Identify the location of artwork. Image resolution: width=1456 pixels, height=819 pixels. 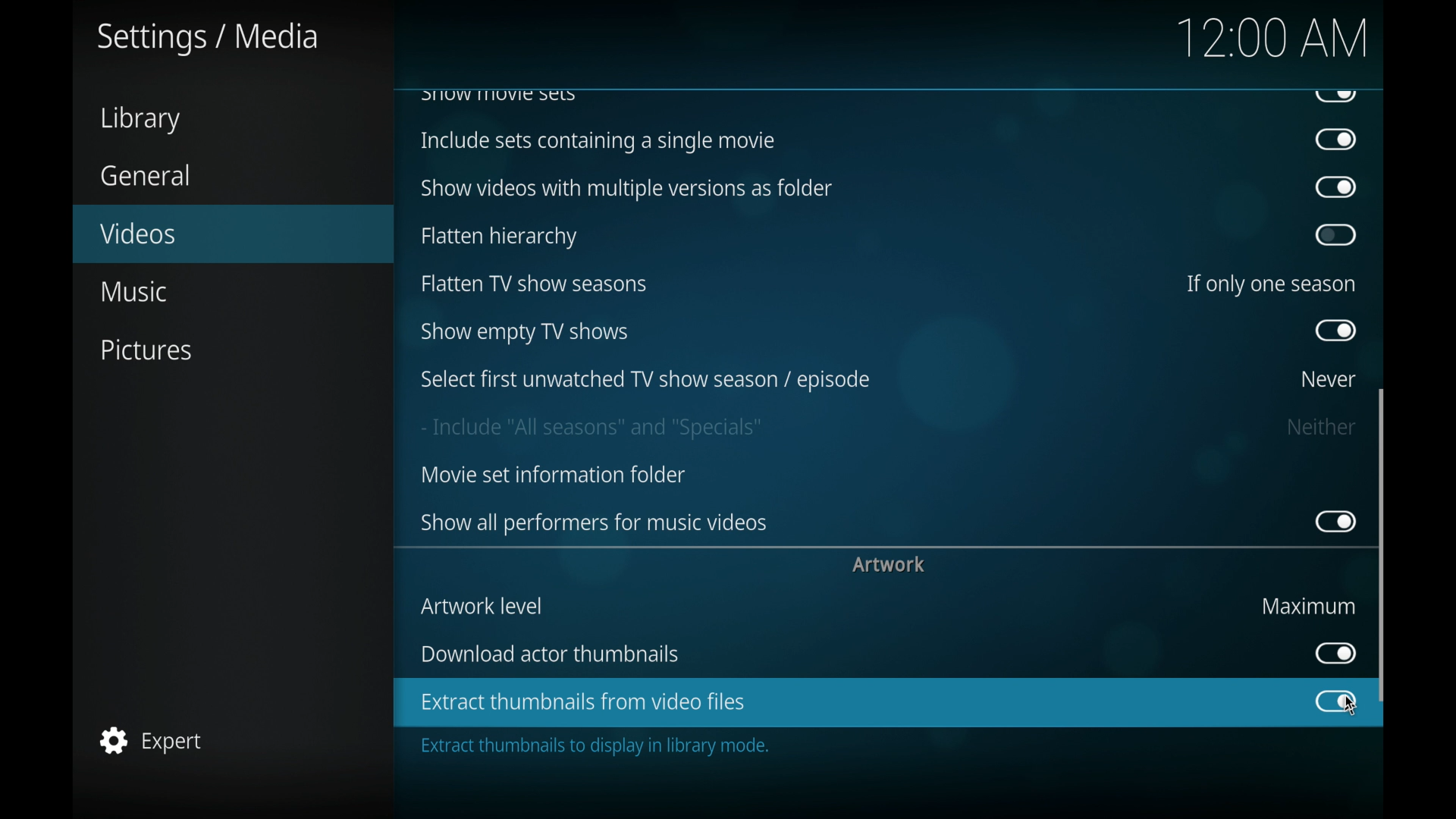
(889, 565).